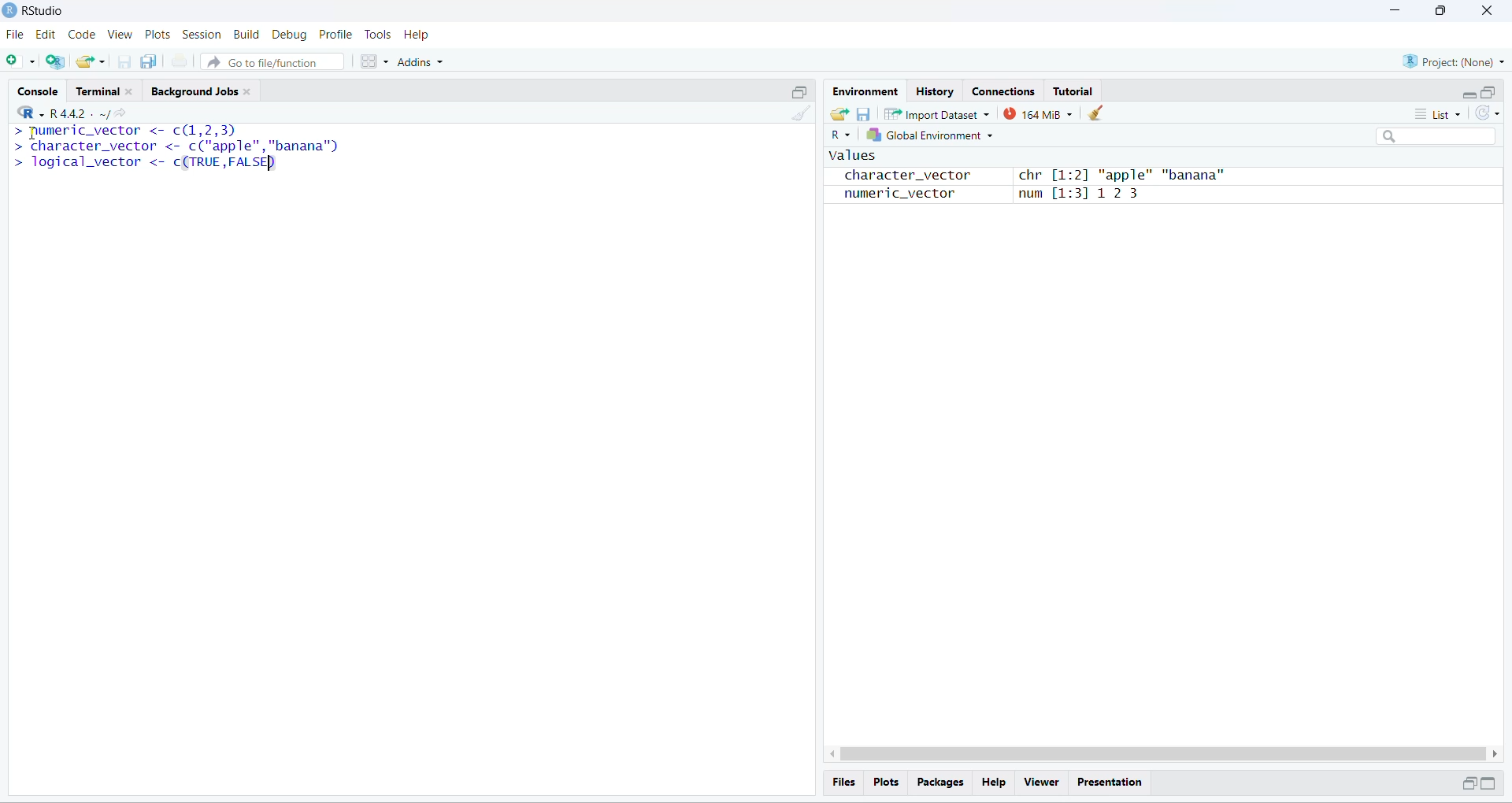 Image resolution: width=1512 pixels, height=803 pixels. Describe the element at coordinates (376, 35) in the screenshot. I see `Tools` at that location.